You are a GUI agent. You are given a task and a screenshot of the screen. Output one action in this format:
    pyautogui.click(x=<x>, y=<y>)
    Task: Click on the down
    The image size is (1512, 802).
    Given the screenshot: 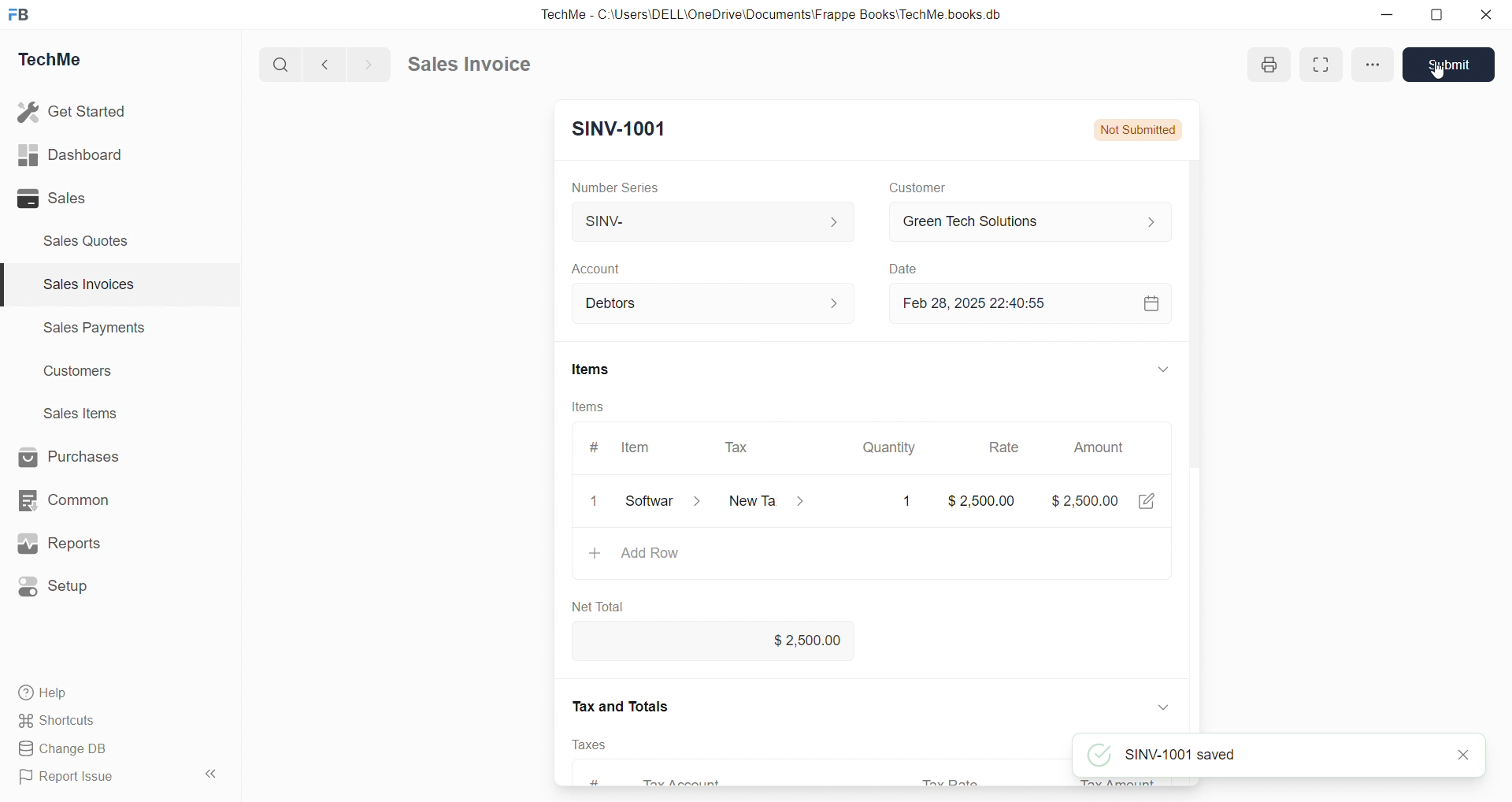 What is the action you would take?
    pyautogui.click(x=1164, y=369)
    